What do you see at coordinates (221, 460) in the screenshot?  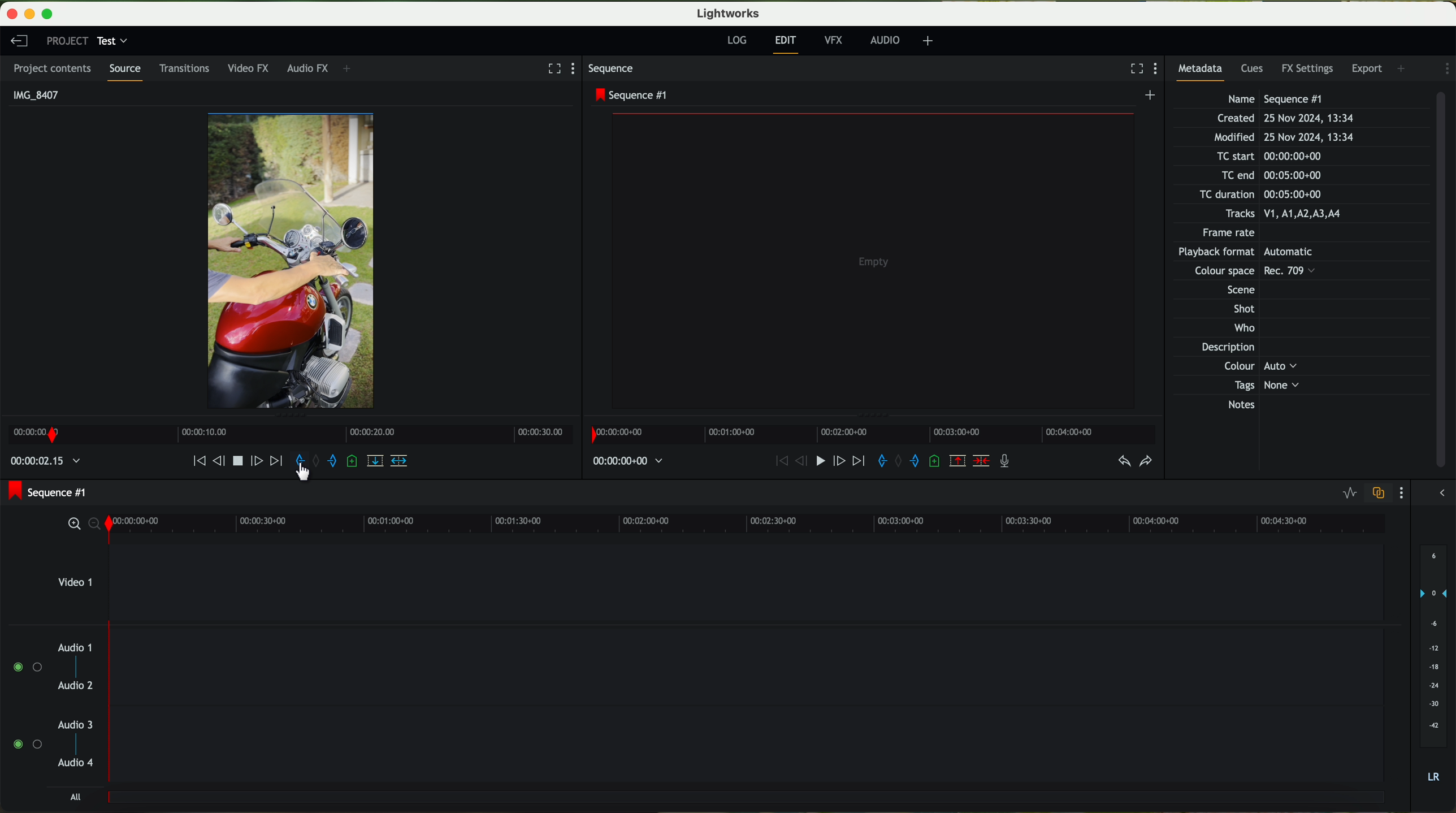 I see `nudge one frame back` at bounding box center [221, 460].